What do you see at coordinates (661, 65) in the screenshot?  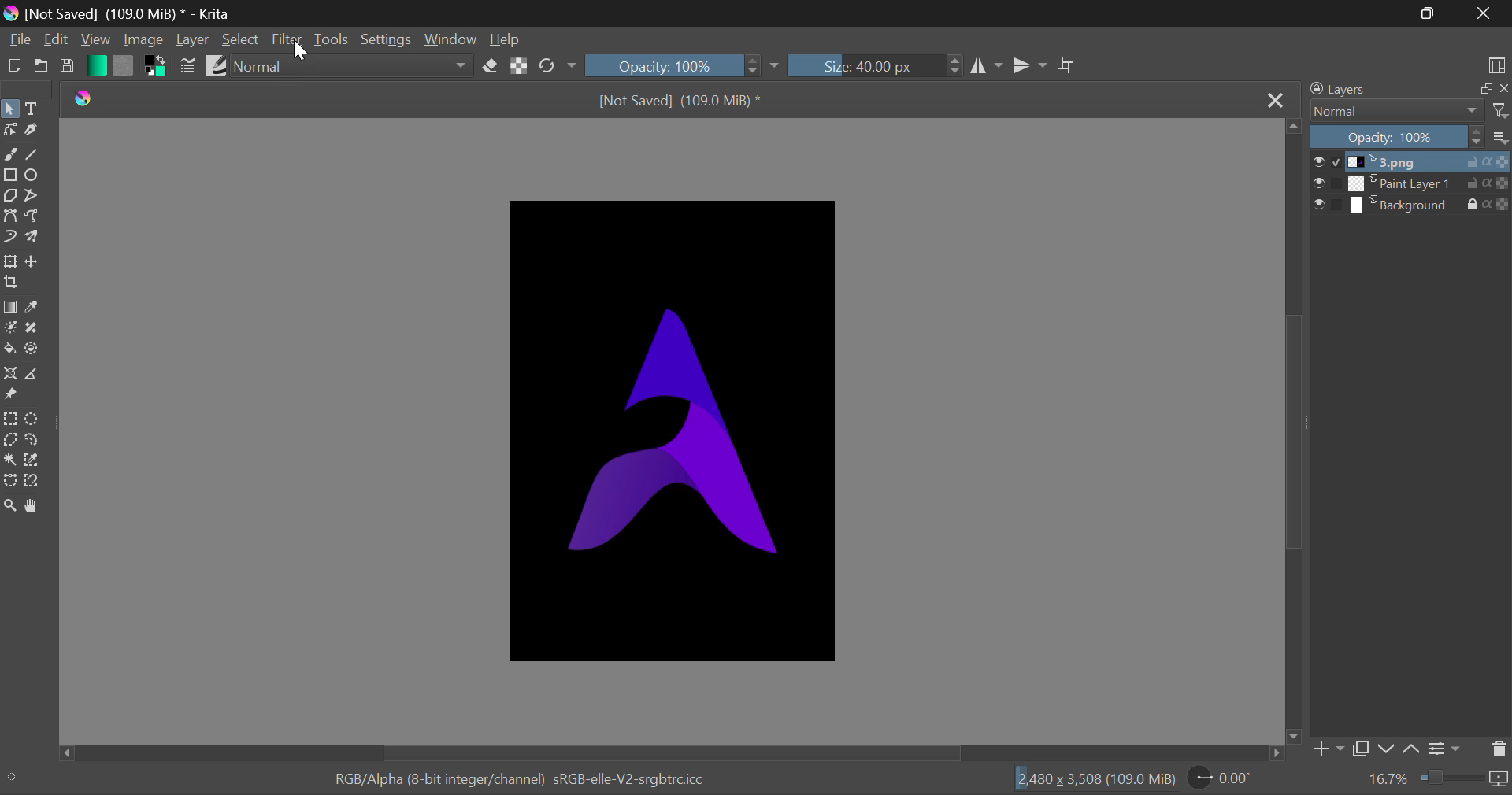 I see `Opacity: 100%` at bounding box center [661, 65].